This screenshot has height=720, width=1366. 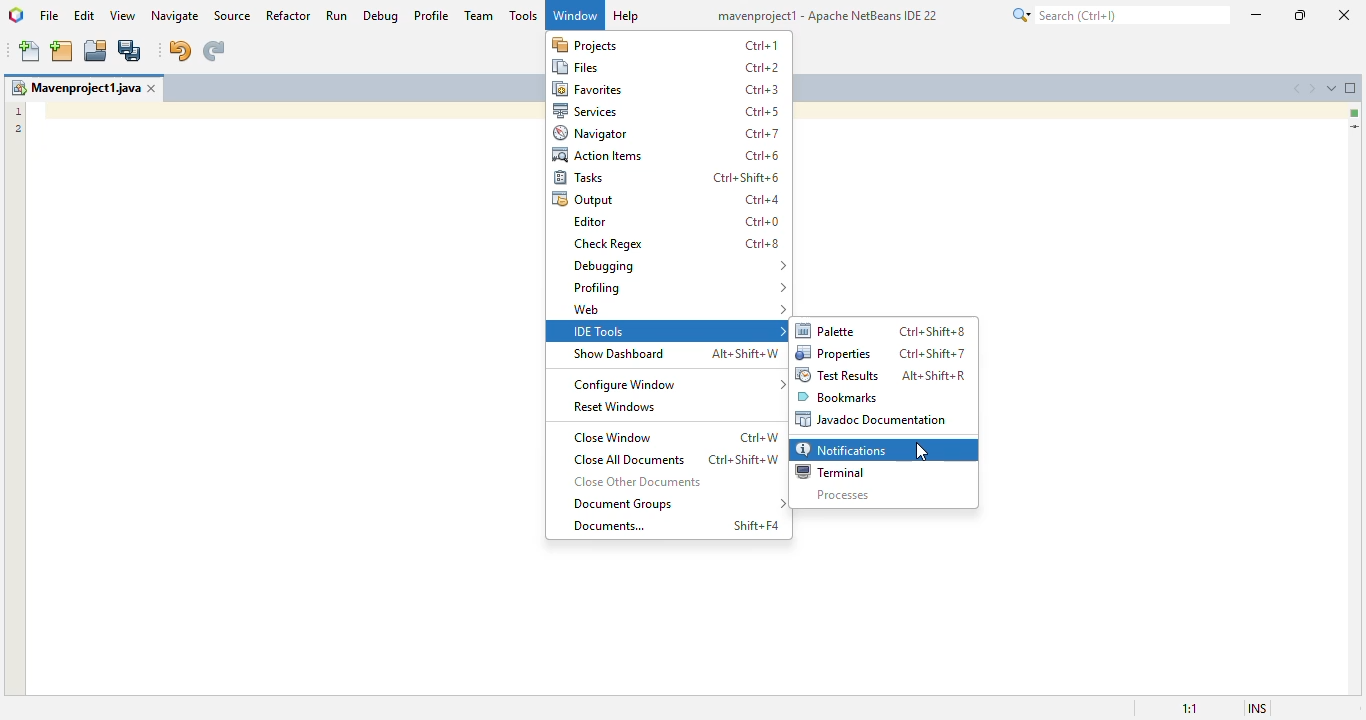 I want to click on files, so click(x=580, y=67).